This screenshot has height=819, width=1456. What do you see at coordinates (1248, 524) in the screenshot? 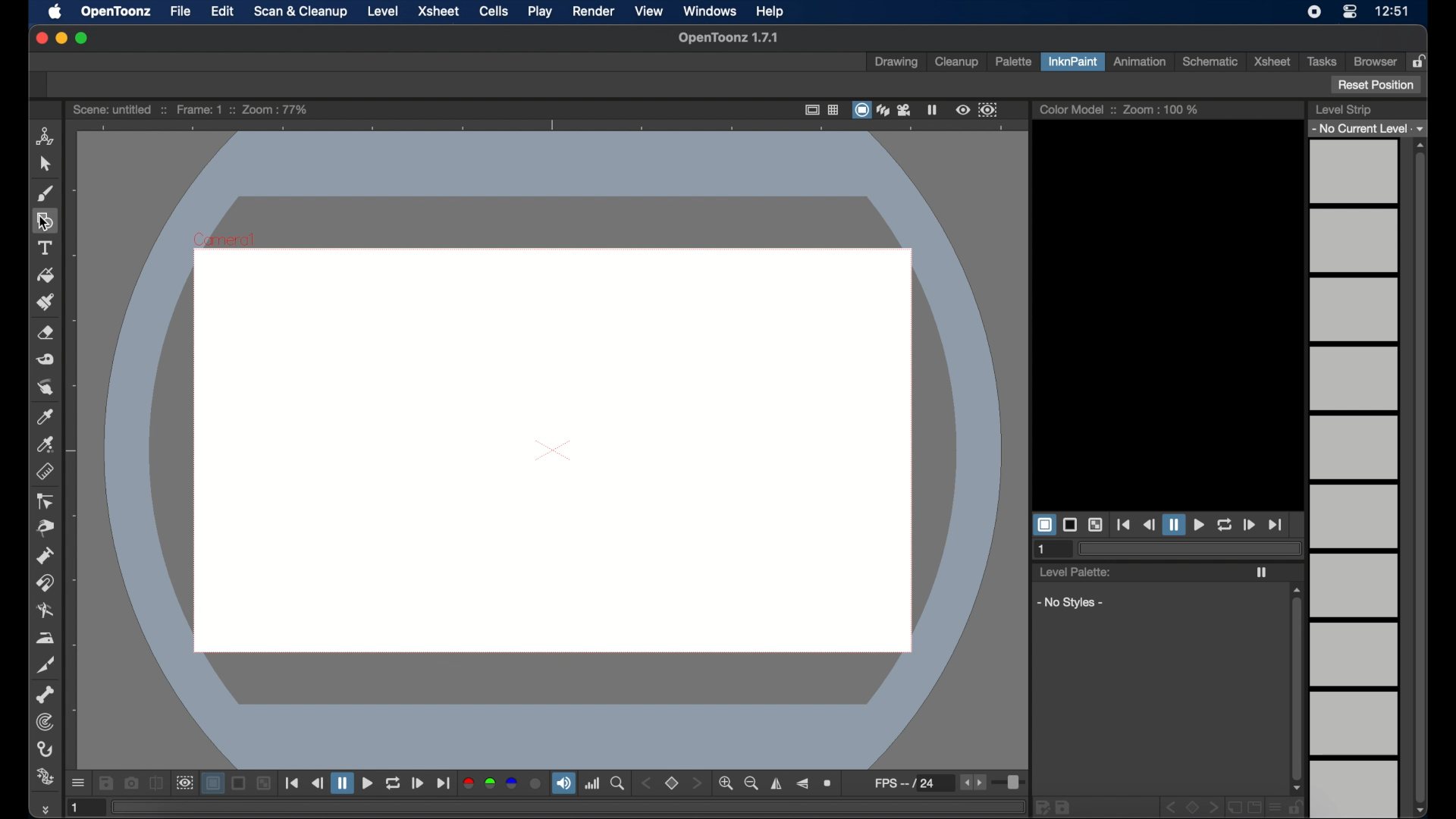
I see `forward` at bounding box center [1248, 524].